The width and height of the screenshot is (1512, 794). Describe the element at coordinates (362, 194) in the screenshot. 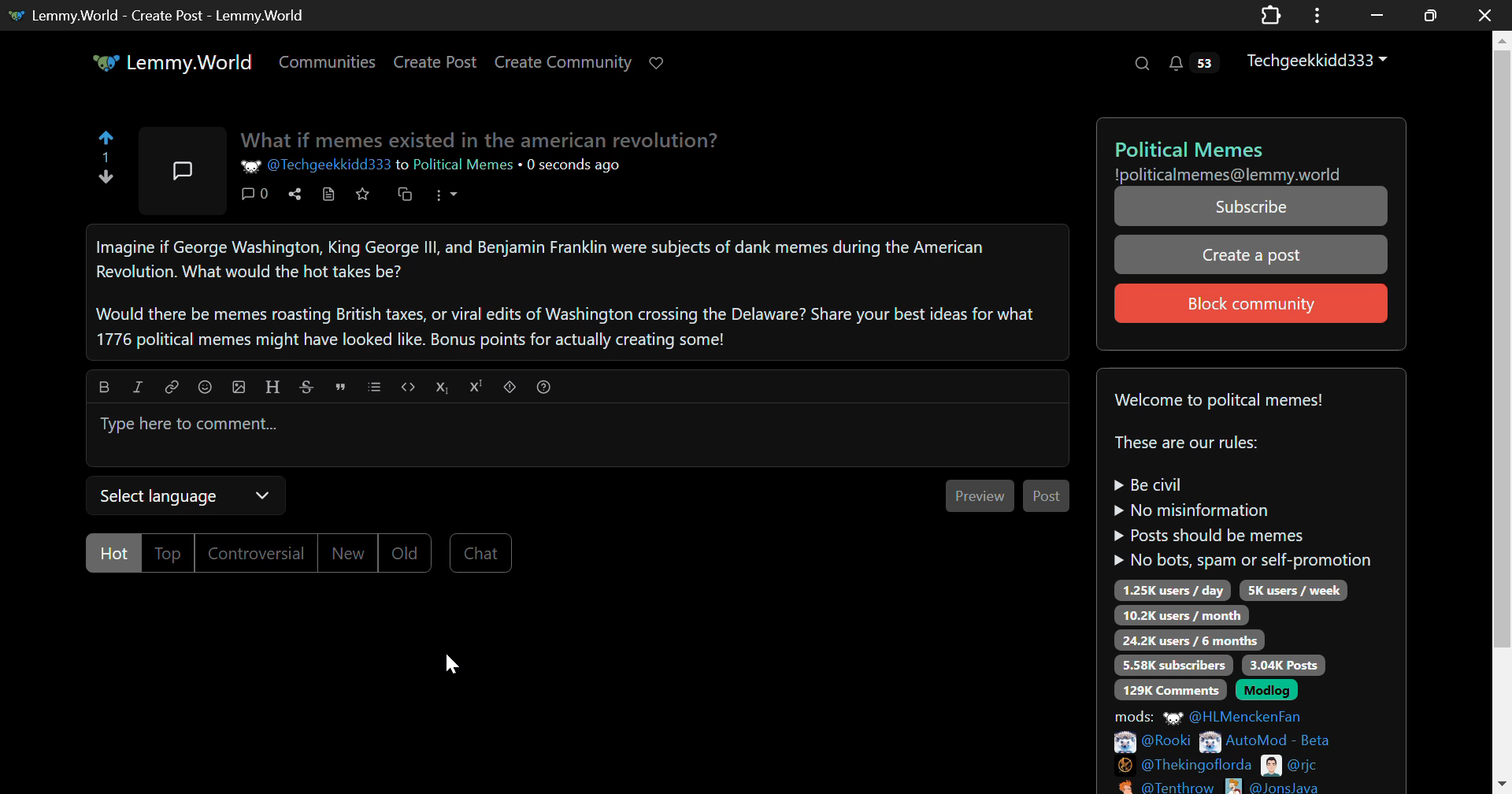

I see `Save` at that location.